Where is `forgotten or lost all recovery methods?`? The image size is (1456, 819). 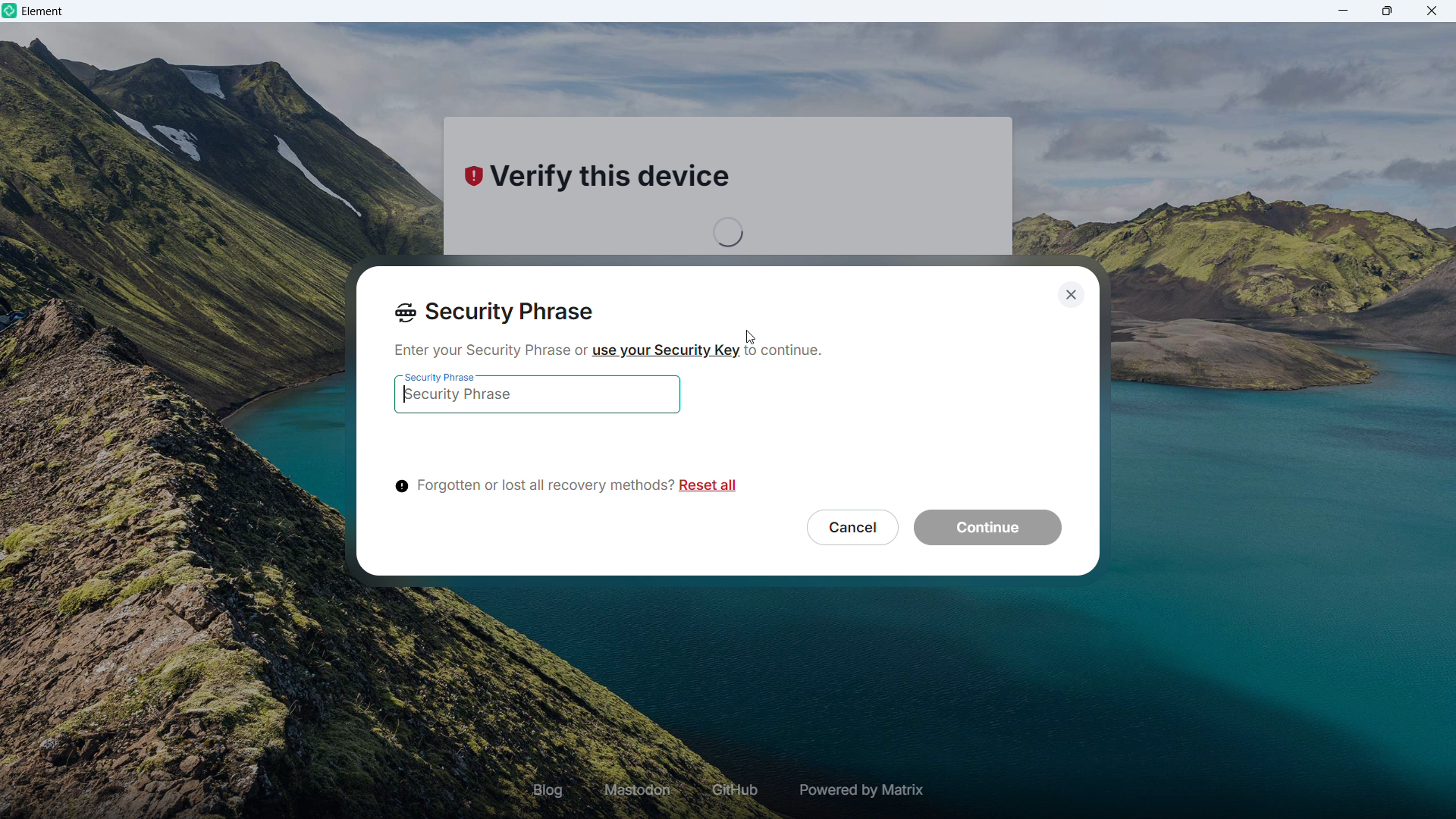 forgotten or lost all recovery methods? is located at coordinates (531, 487).